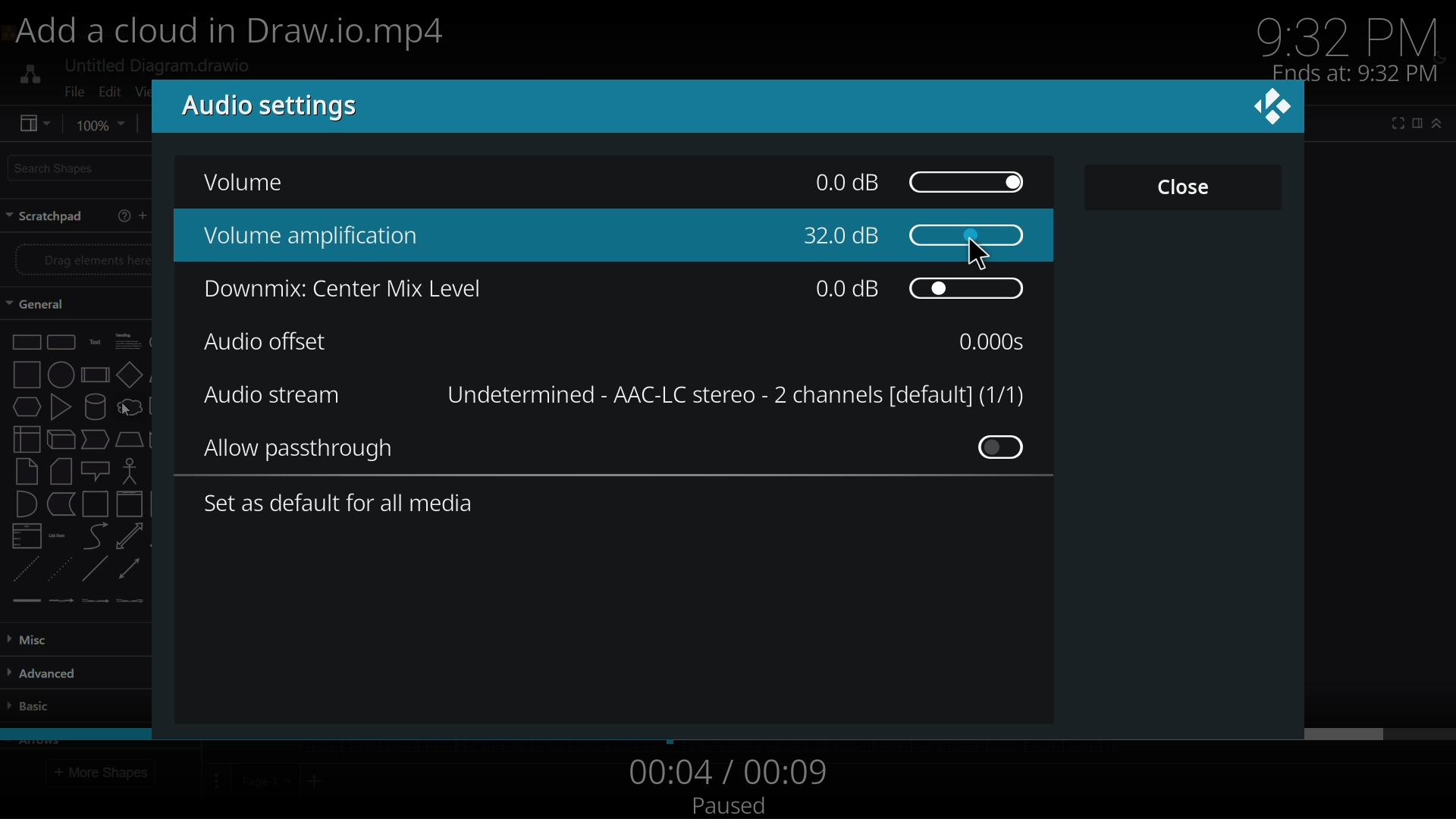 Image resolution: width=1456 pixels, height=819 pixels. What do you see at coordinates (998, 341) in the screenshot?
I see `duration` at bounding box center [998, 341].